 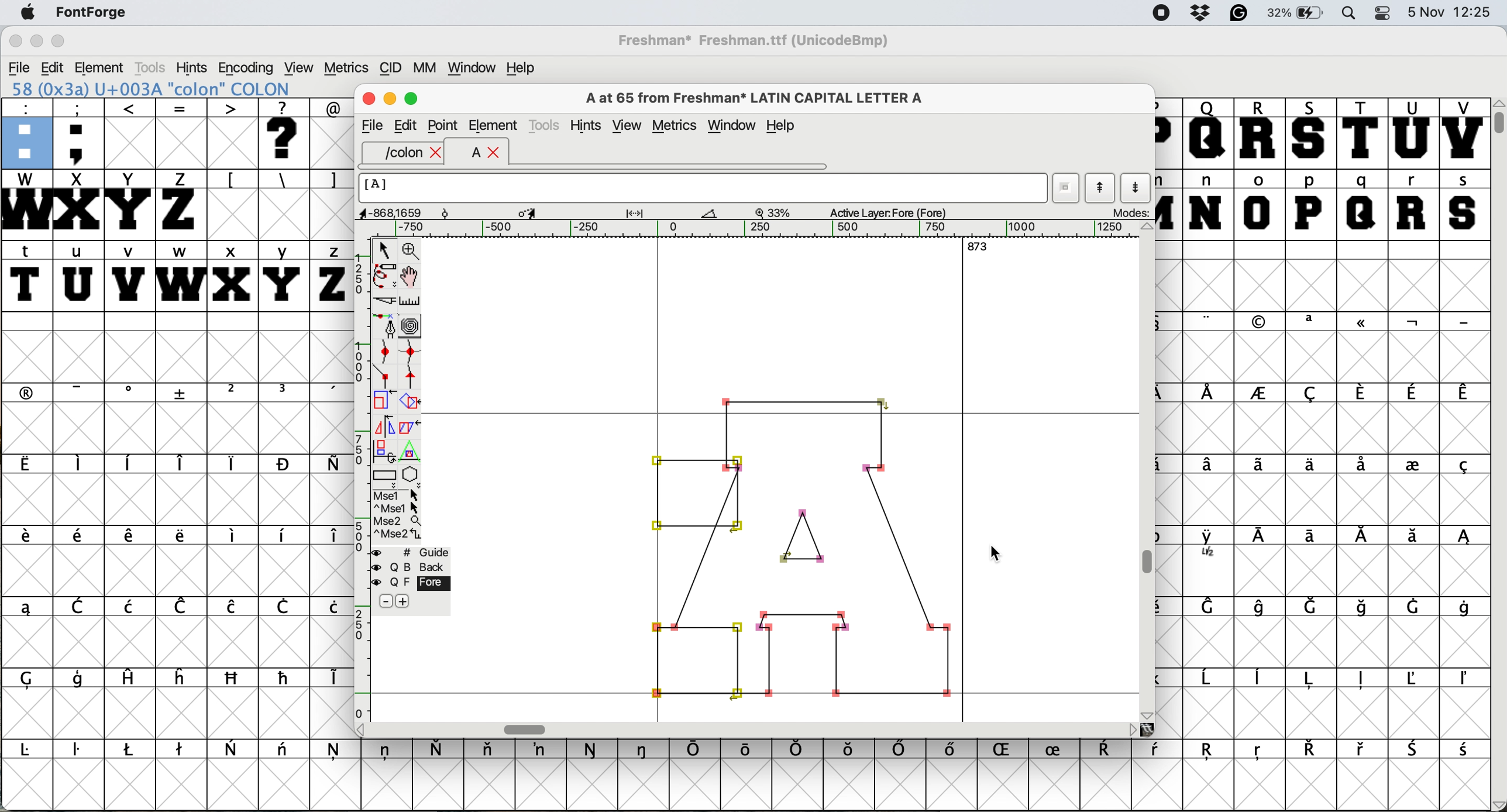 What do you see at coordinates (1167, 133) in the screenshot?
I see `P` at bounding box center [1167, 133].